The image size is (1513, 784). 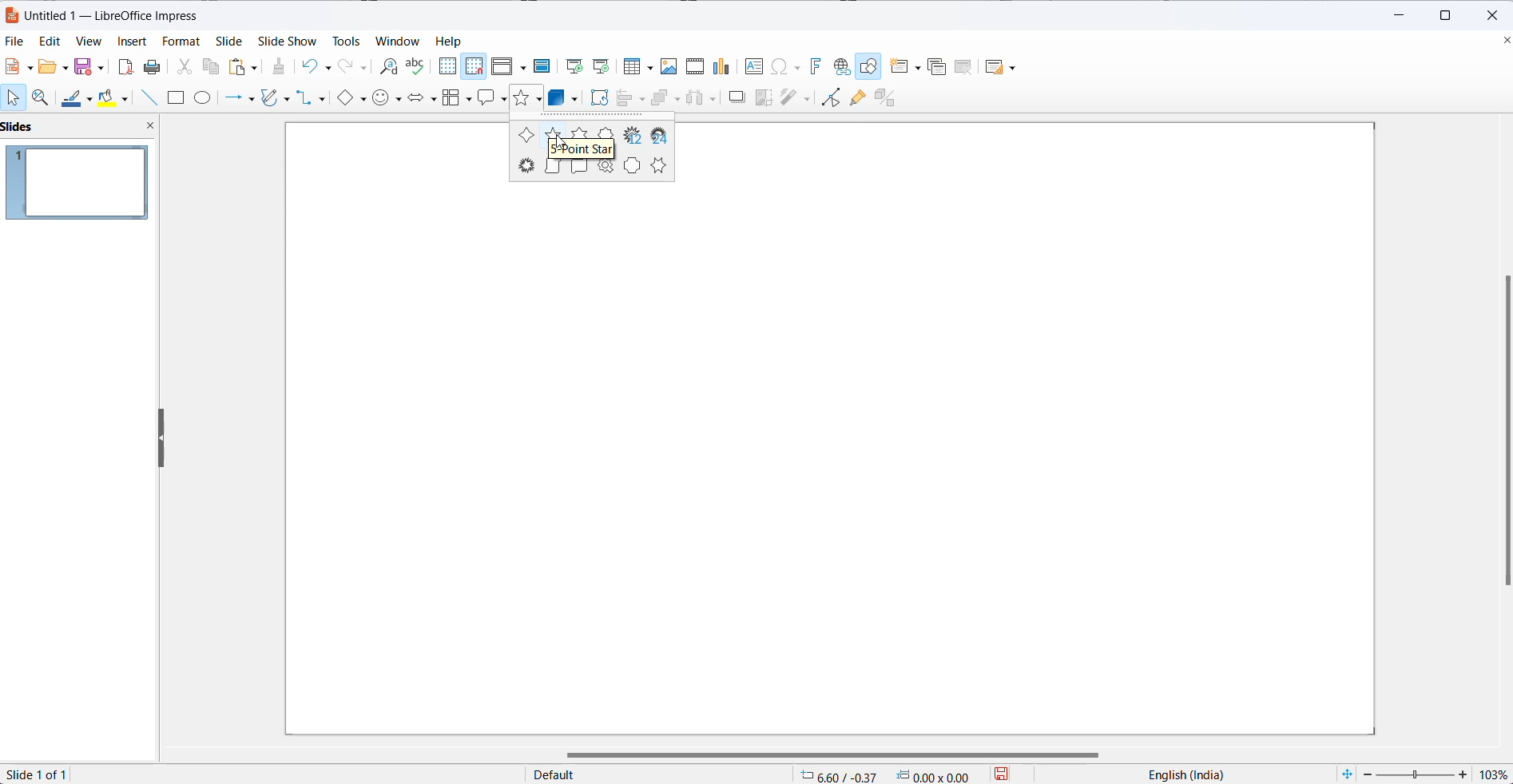 What do you see at coordinates (601, 68) in the screenshot?
I see `start from current slide` at bounding box center [601, 68].